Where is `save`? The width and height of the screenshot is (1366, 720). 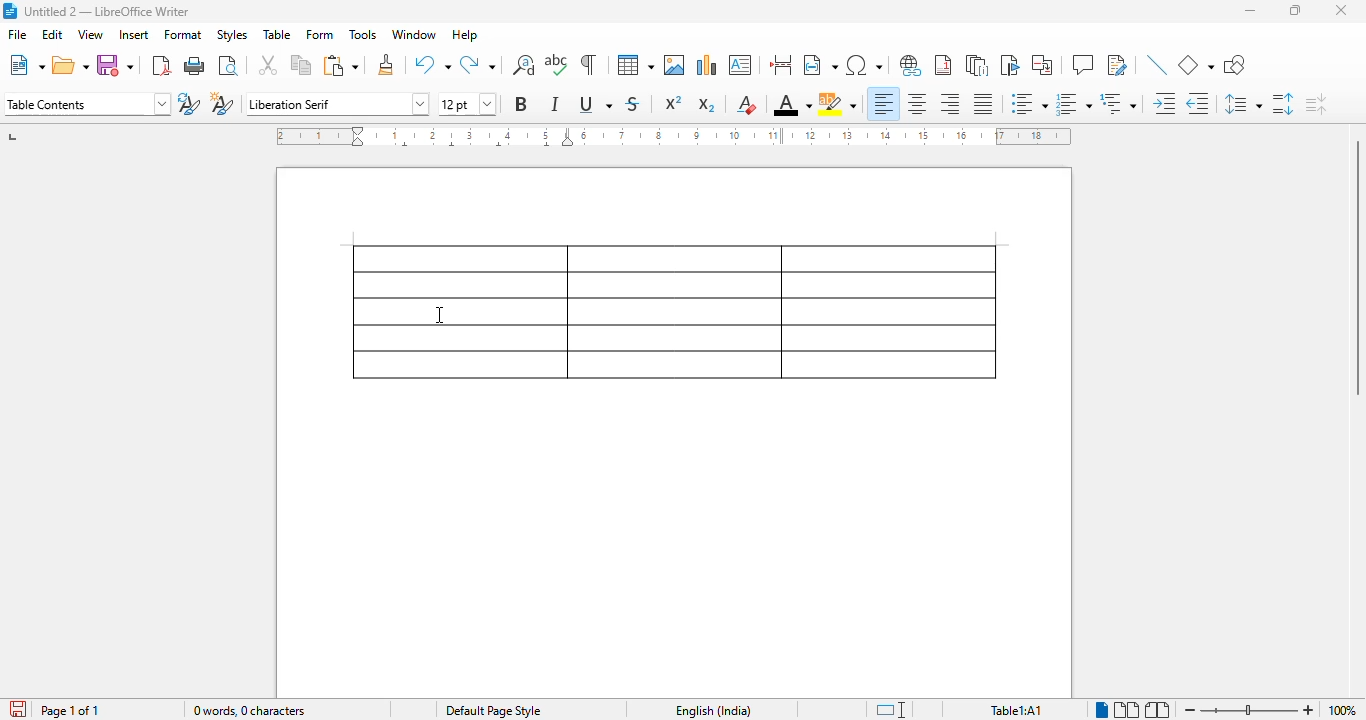
save is located at coordinates (115, 64).